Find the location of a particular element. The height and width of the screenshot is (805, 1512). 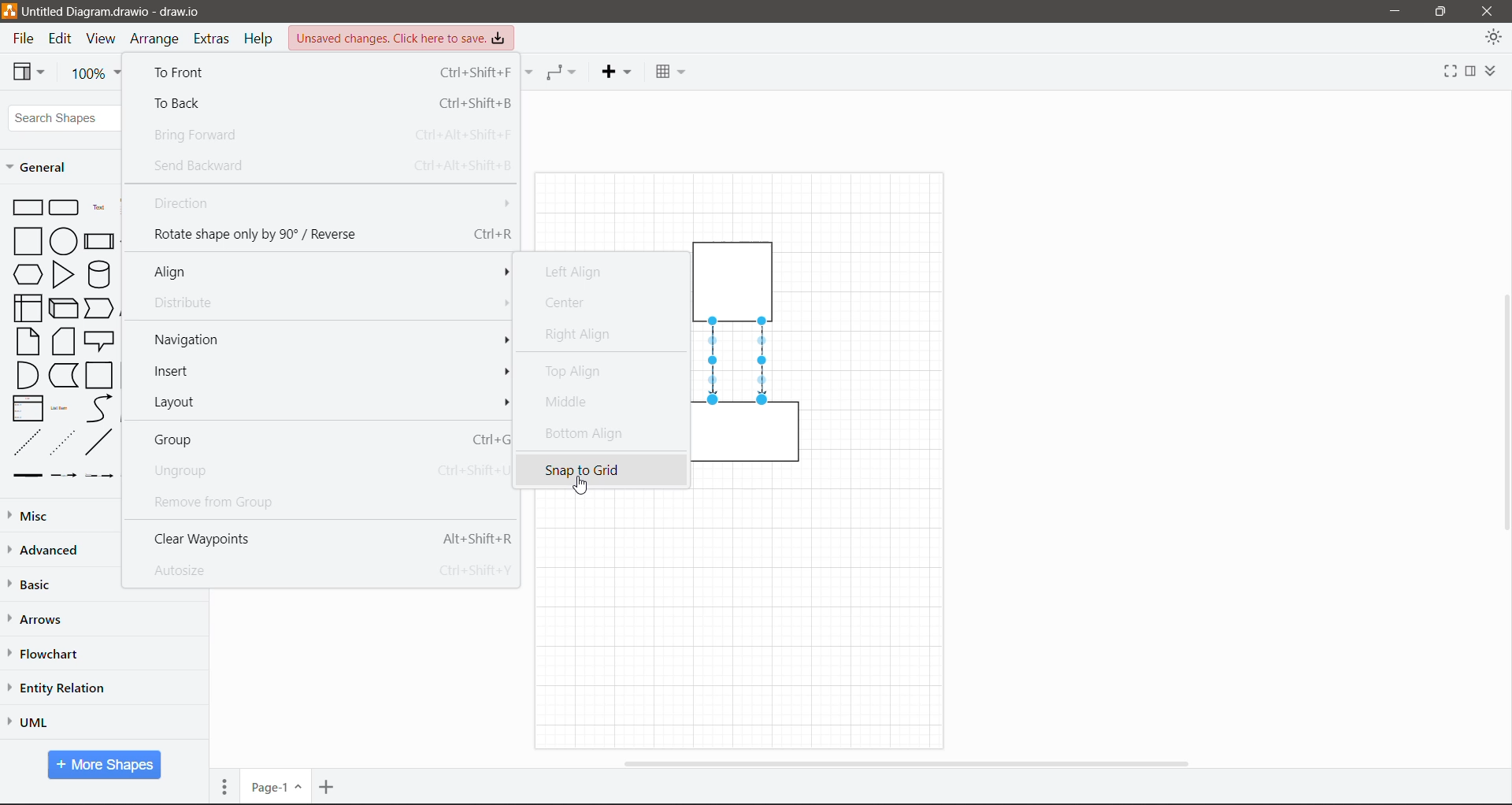

Expand/Collapse is located at coordinates (1495, 72).